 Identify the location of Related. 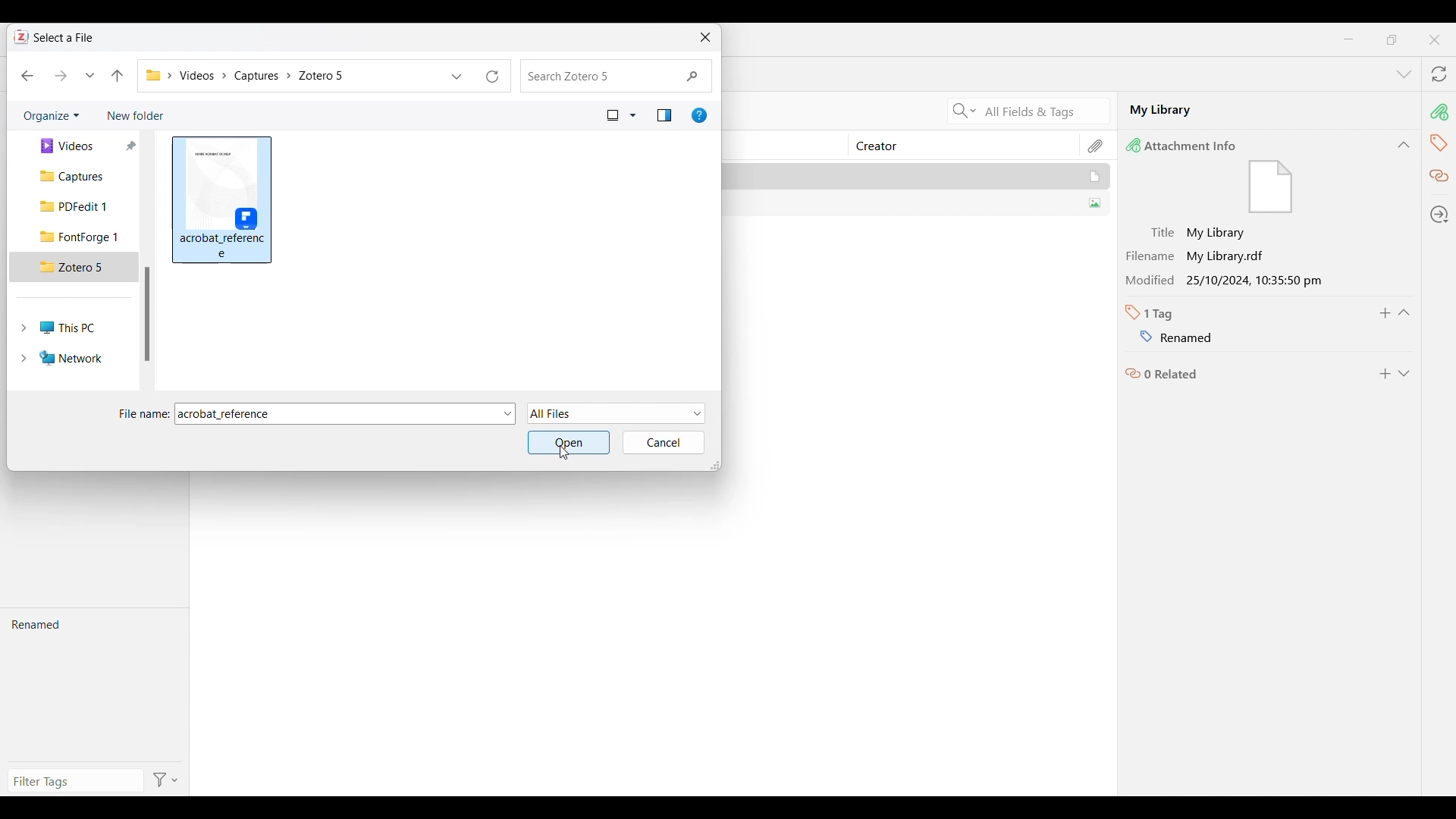
(1161, 375).